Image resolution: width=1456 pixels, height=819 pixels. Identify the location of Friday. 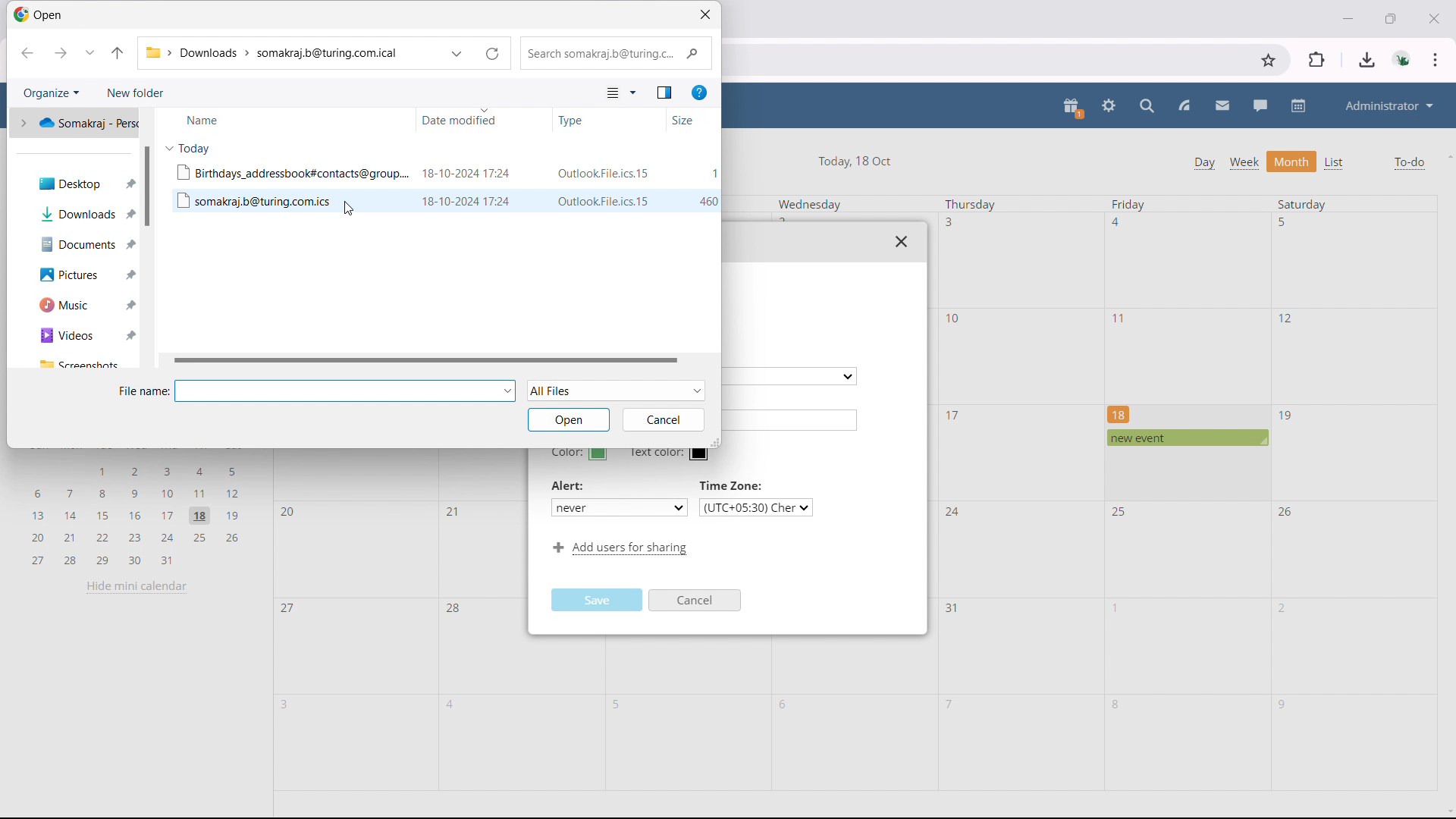
(1129, 205).